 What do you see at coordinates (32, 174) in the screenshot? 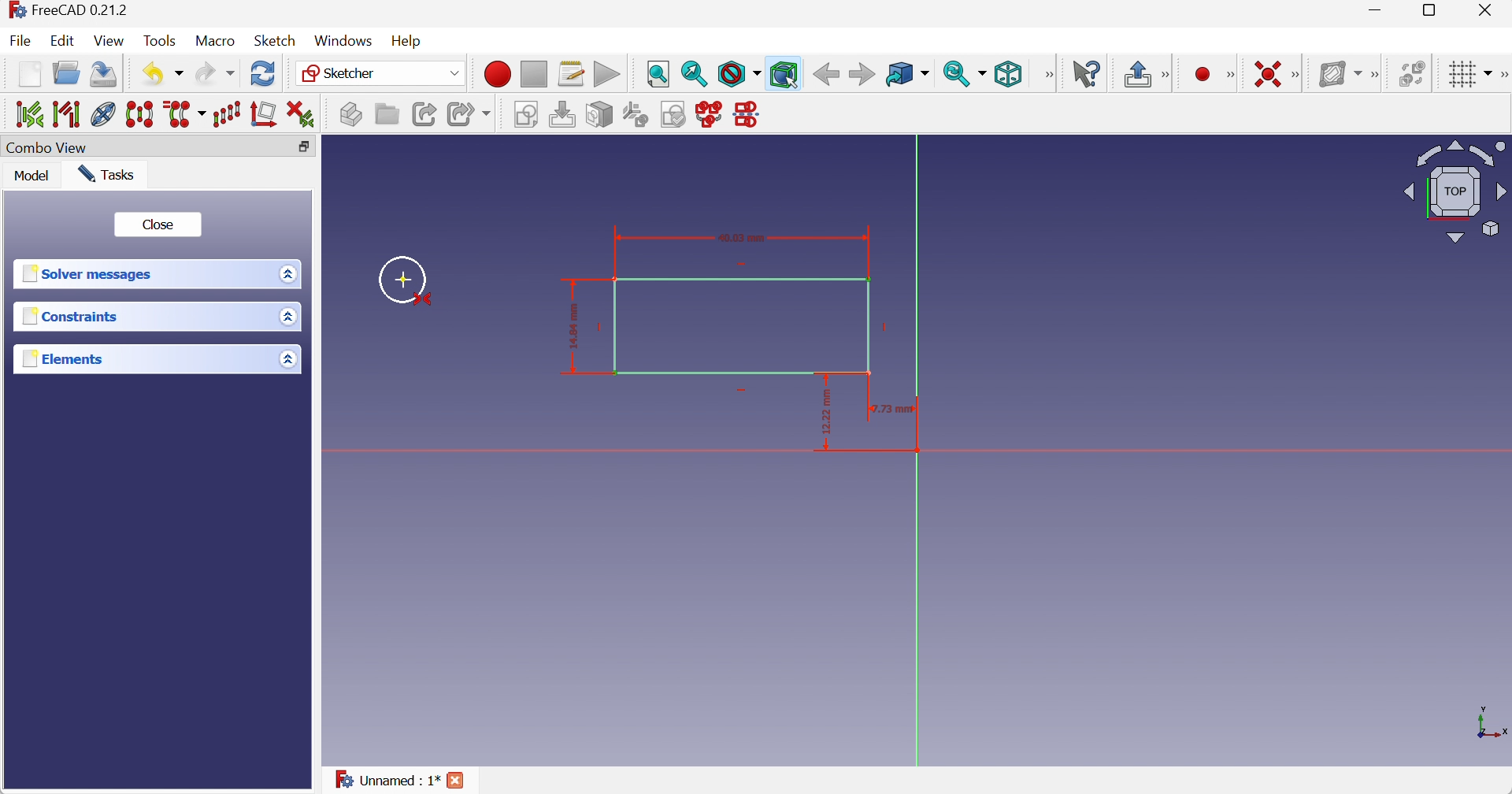
I see `Model` at bounding box center [32, 174].